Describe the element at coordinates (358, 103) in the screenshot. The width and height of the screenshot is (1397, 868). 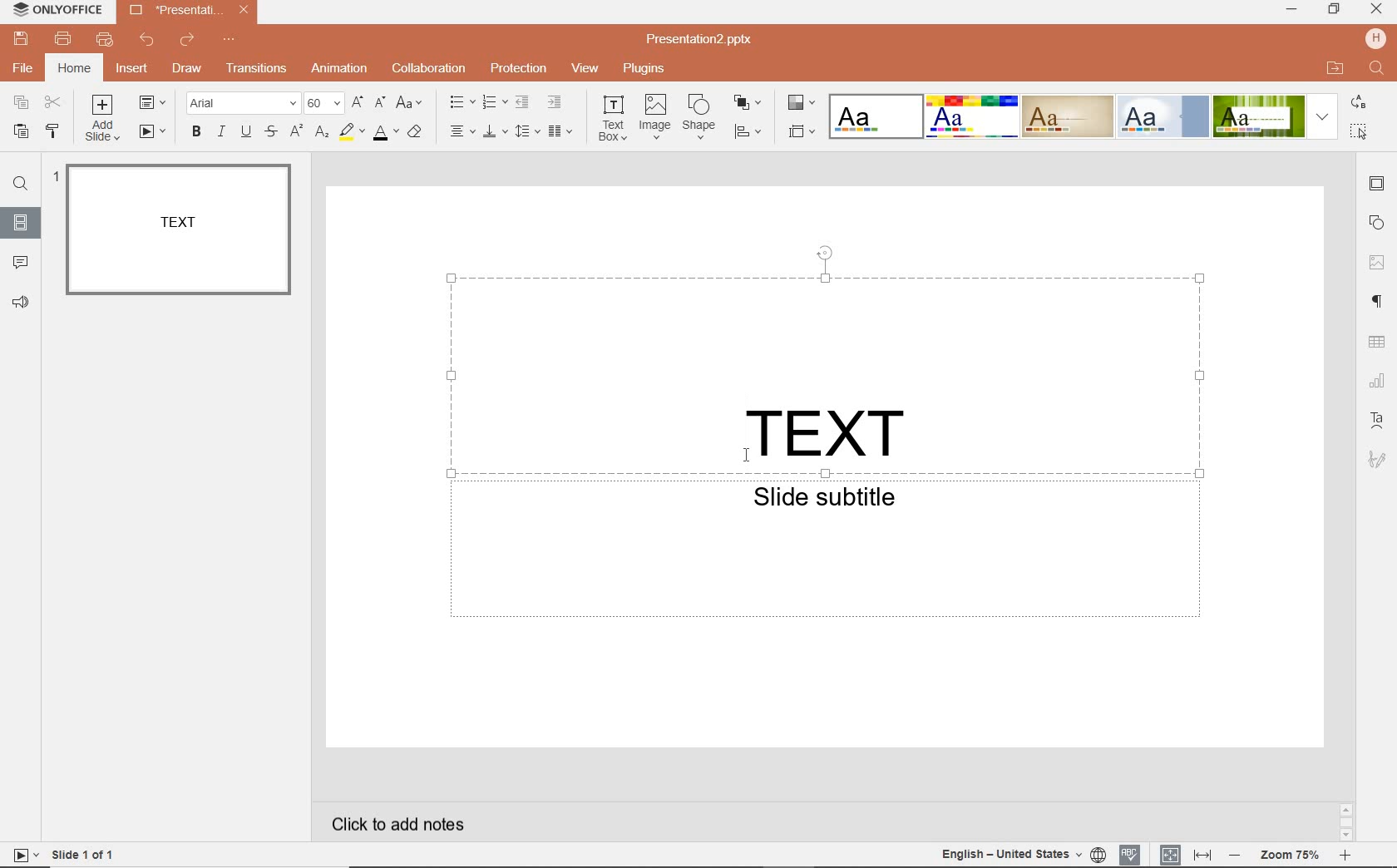
I see `INCREMENT FONT SIZE` at that location.